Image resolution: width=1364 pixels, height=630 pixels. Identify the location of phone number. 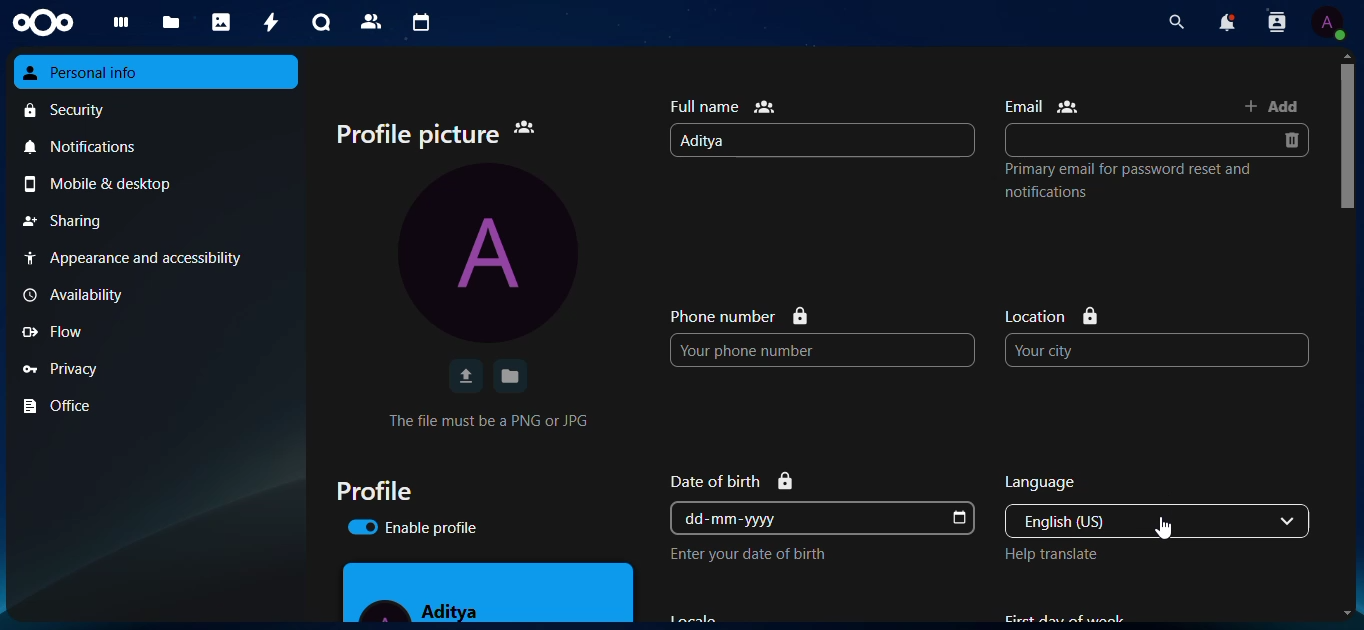
(739, 315).